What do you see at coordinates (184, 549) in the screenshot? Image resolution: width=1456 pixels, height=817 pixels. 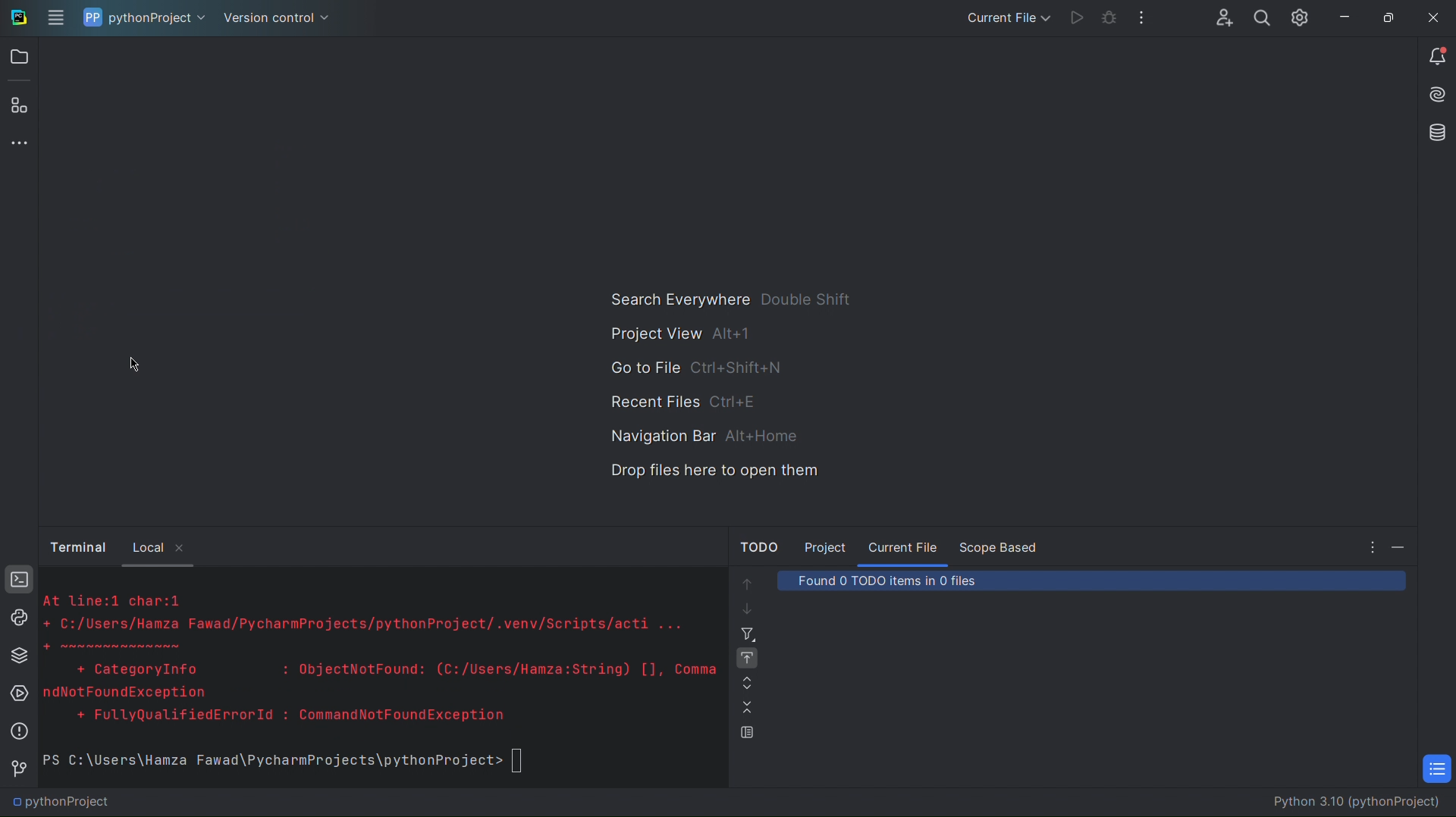 I see `close` at bounding box center [184, 549].